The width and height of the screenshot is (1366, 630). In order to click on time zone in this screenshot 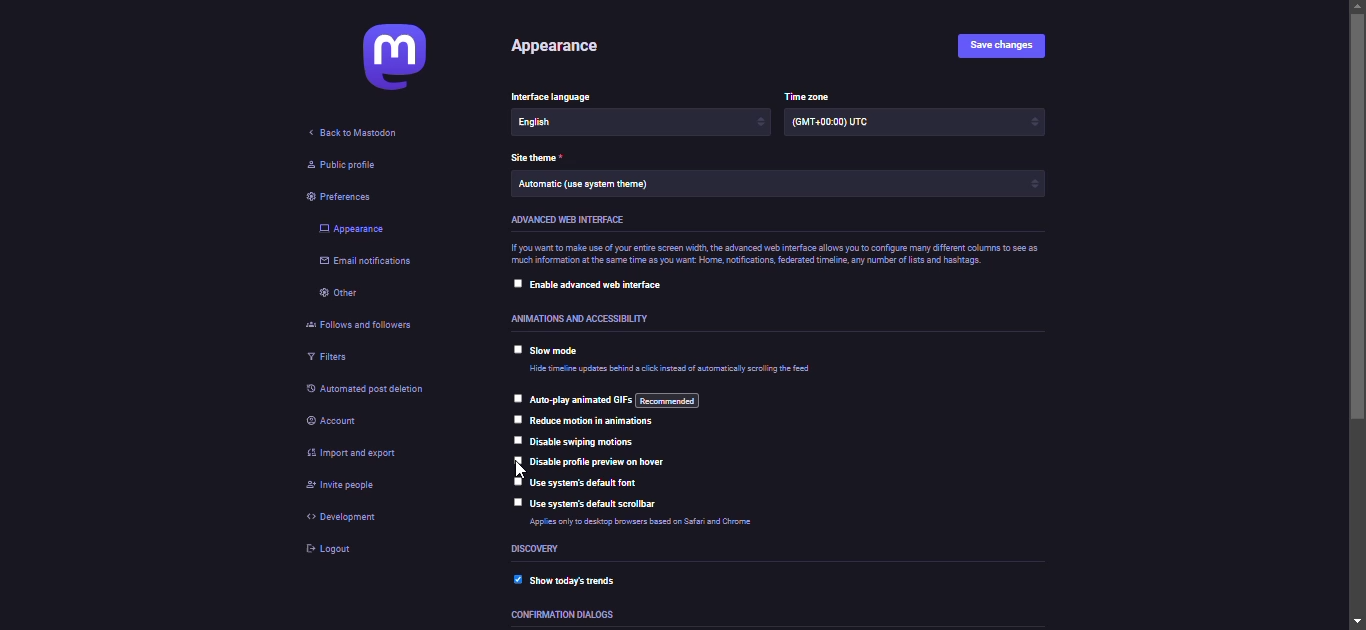, I will do `click(845, 126)`.